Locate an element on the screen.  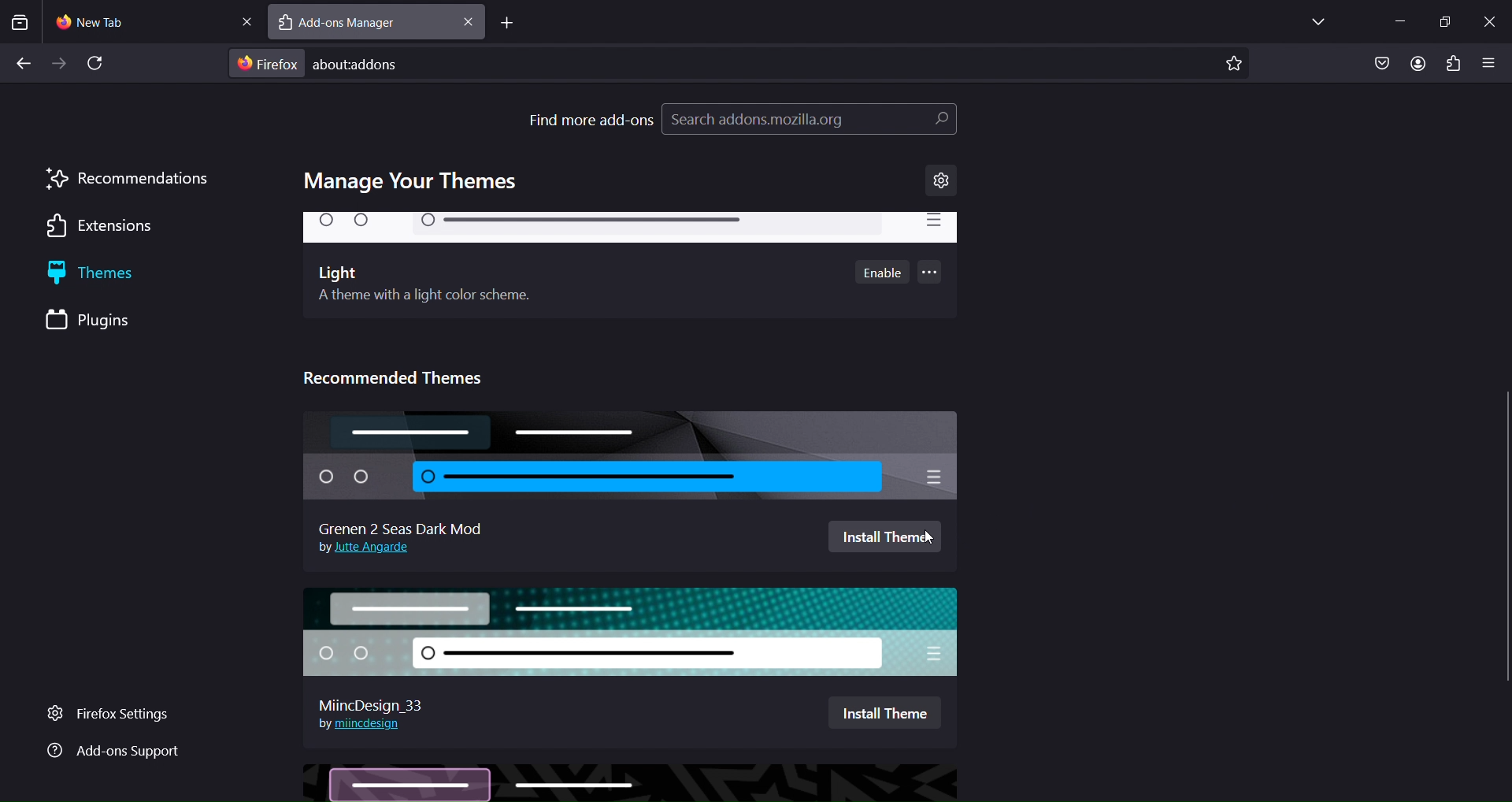
recommendations is located at coordinates (128, 179).